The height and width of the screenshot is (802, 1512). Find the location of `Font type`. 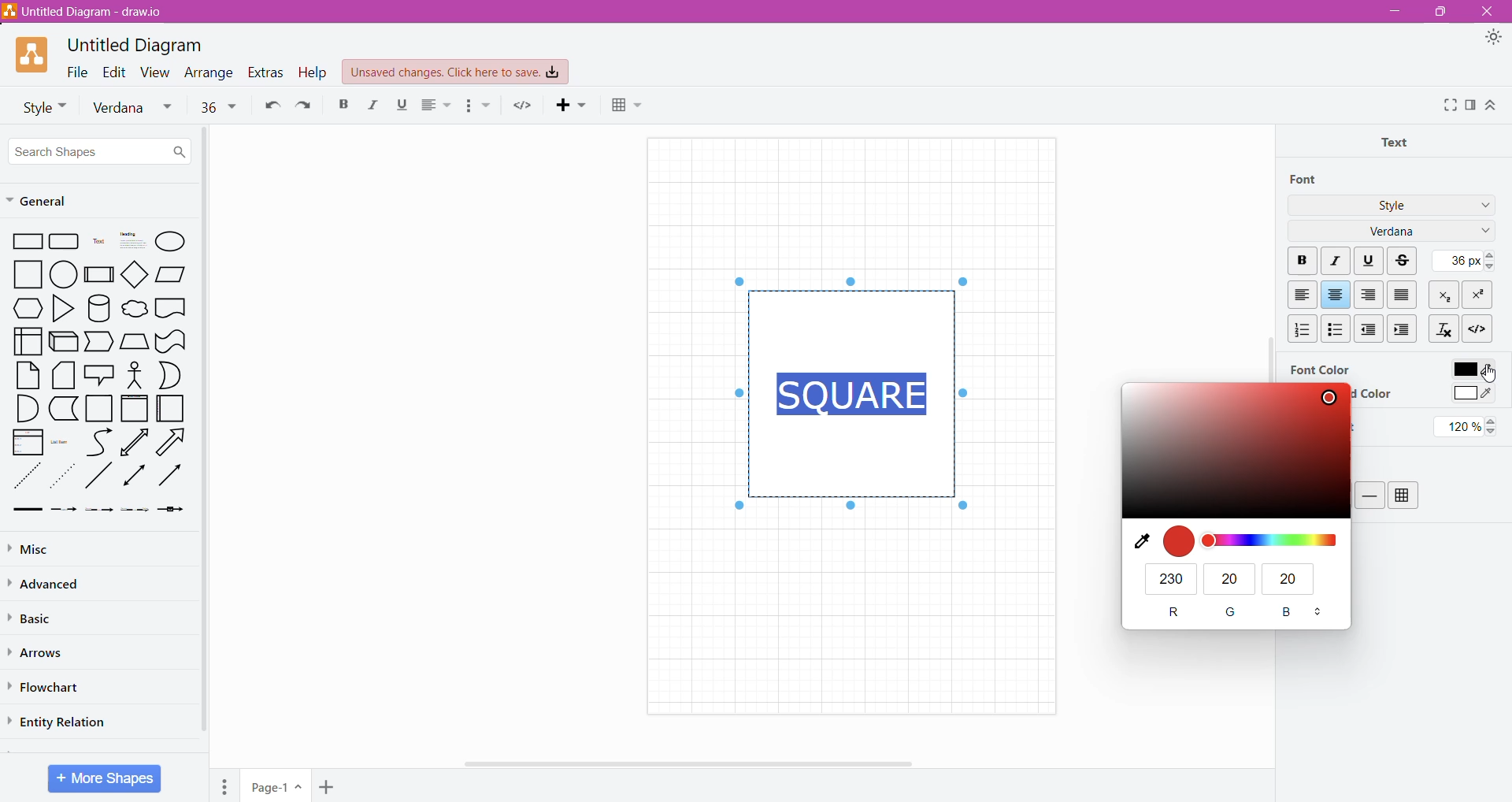

Font type is located at coordinates (136, 108).